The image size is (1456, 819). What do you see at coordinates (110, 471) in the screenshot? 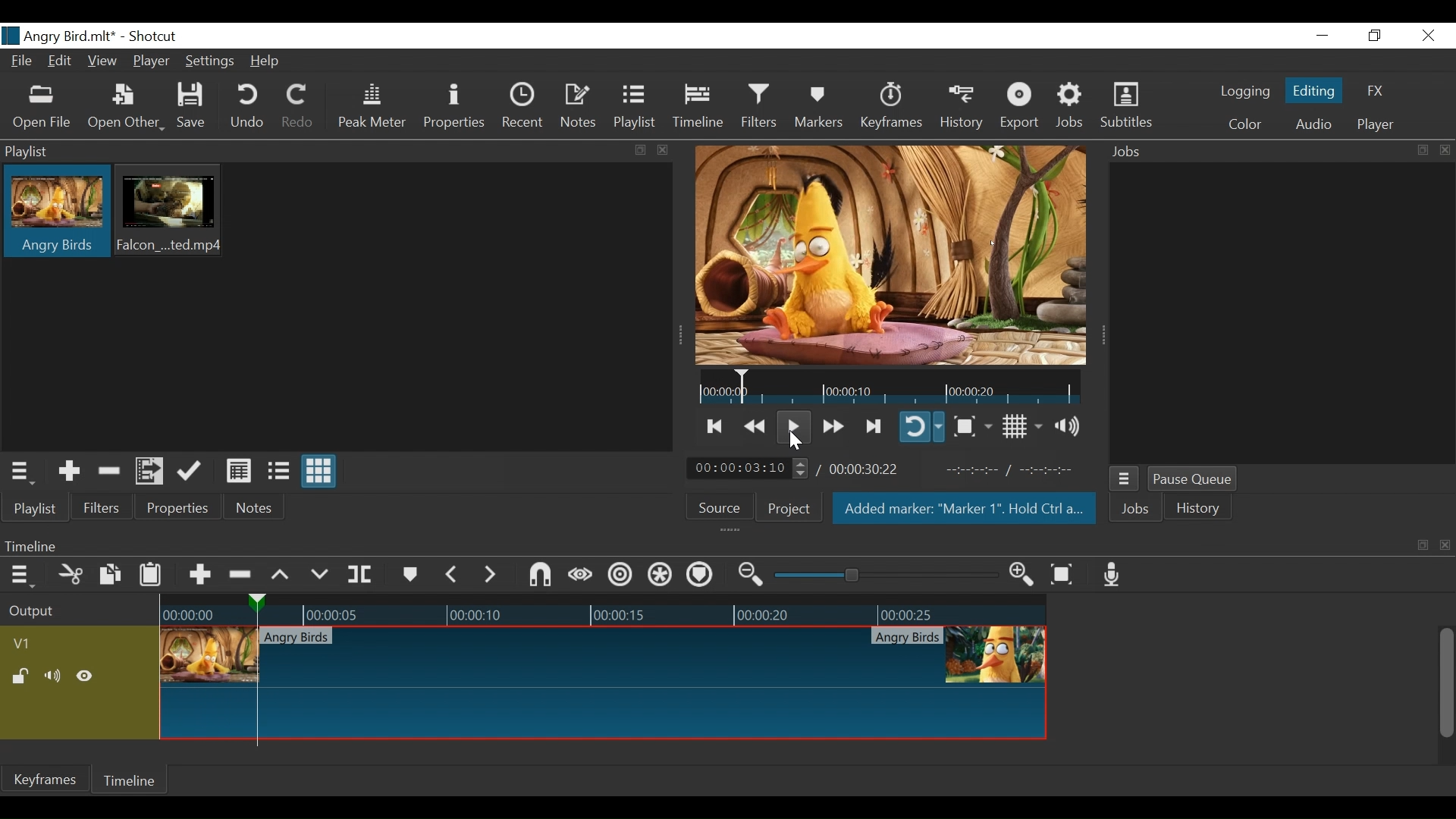
I see `Remove cut` at bounding box center [110, 471].